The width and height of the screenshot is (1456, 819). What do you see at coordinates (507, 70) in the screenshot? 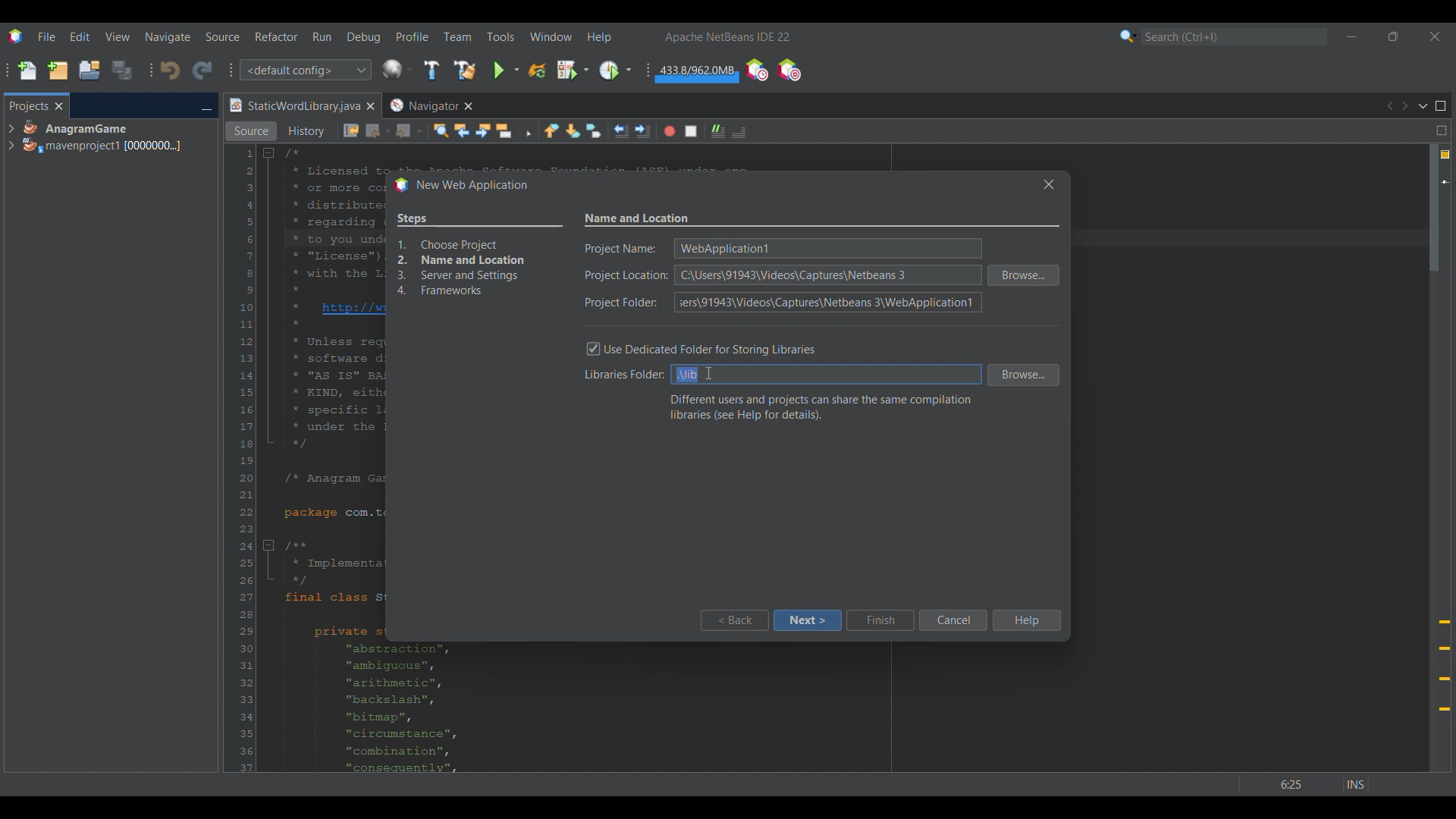
I see `Run main project options` at bounding box center [507, 70].